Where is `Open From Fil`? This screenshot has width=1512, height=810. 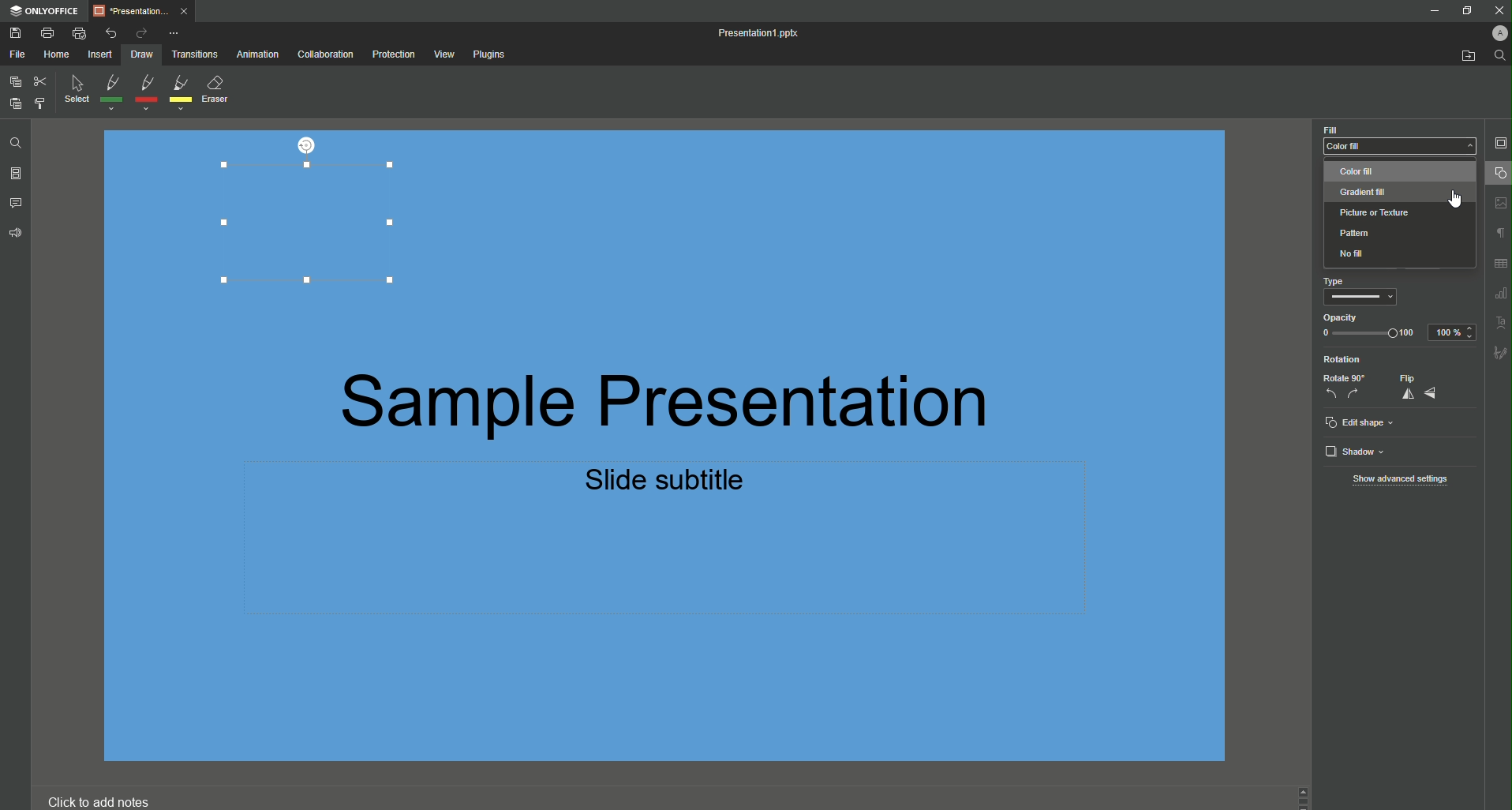
Open From Fil is located at coordinates (1470, 58).